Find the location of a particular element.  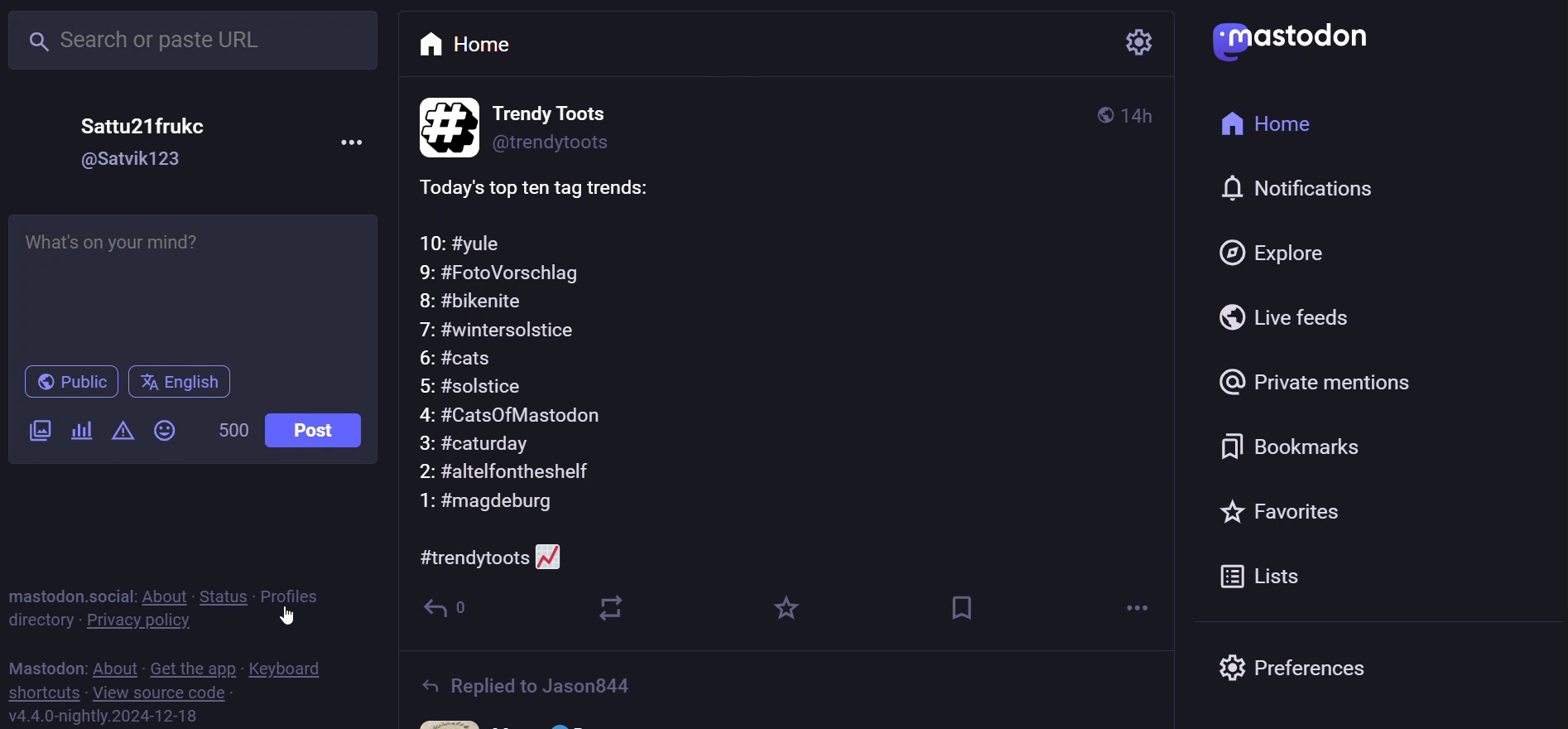

cursor is located at coordinates (292, 624).